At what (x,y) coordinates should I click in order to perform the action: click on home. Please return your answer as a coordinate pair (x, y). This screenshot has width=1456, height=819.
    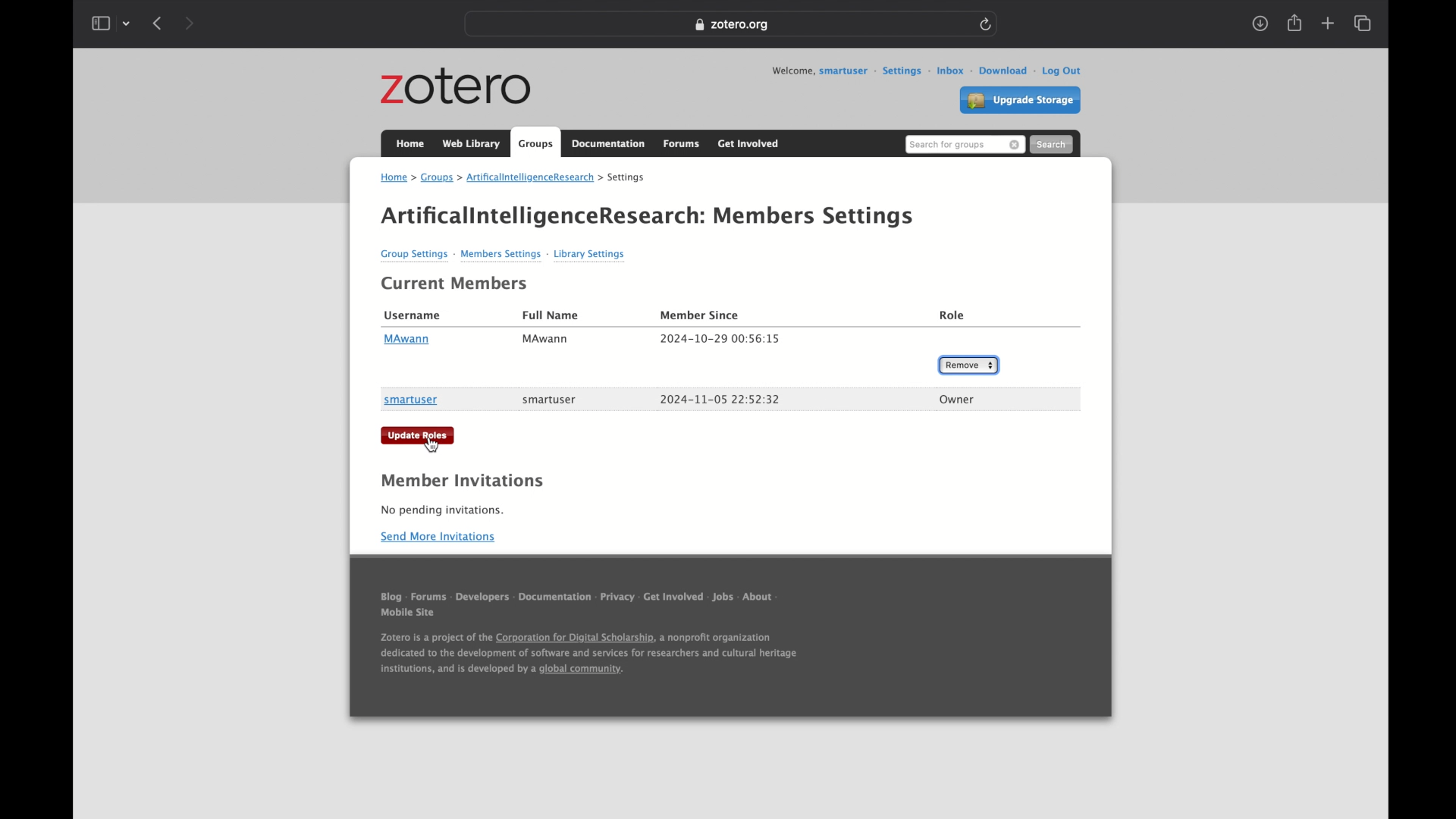
    Looking at the image, I should click on (397, 179).